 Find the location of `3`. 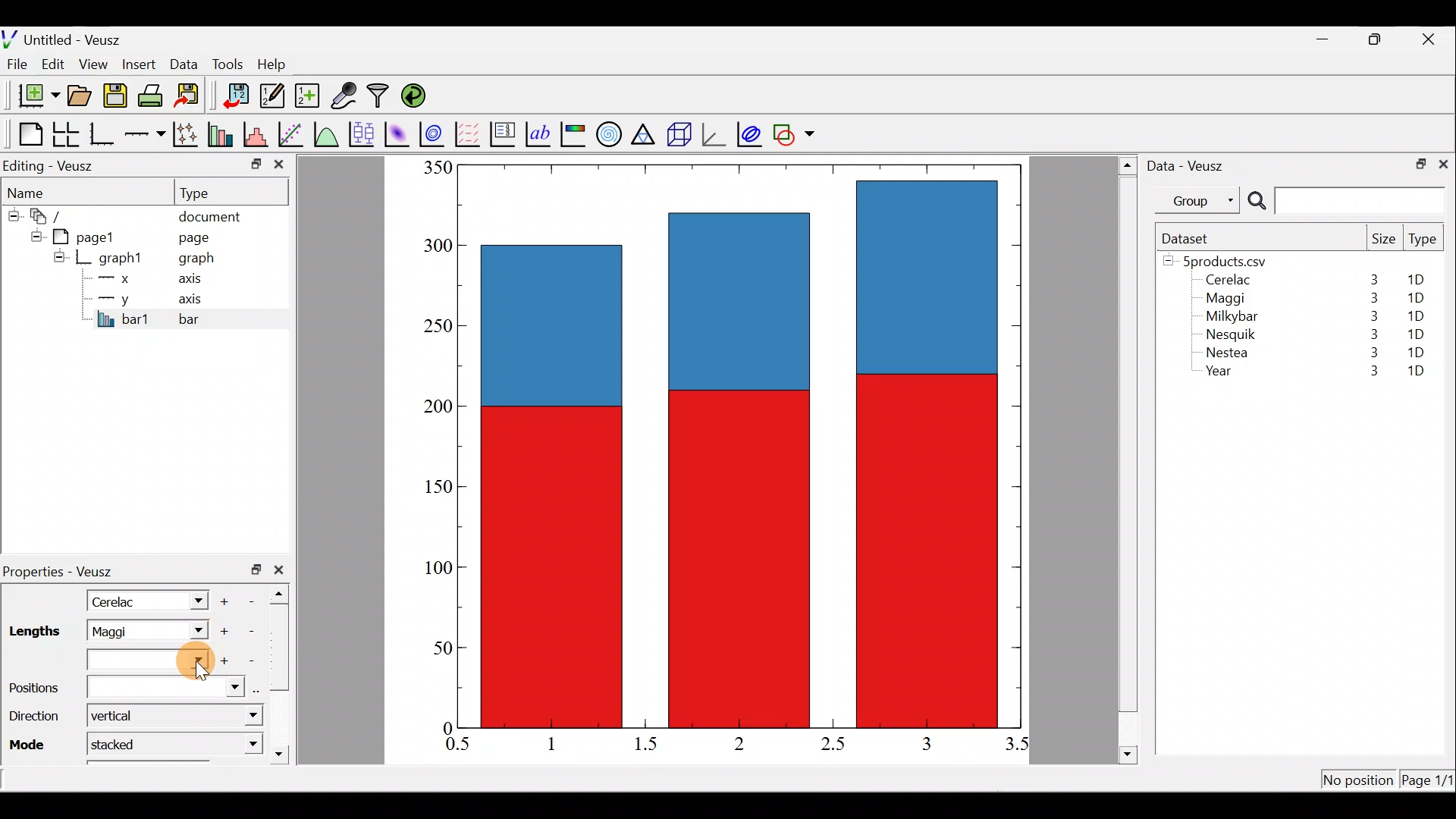

3 is located at coordinates (1371, 316).